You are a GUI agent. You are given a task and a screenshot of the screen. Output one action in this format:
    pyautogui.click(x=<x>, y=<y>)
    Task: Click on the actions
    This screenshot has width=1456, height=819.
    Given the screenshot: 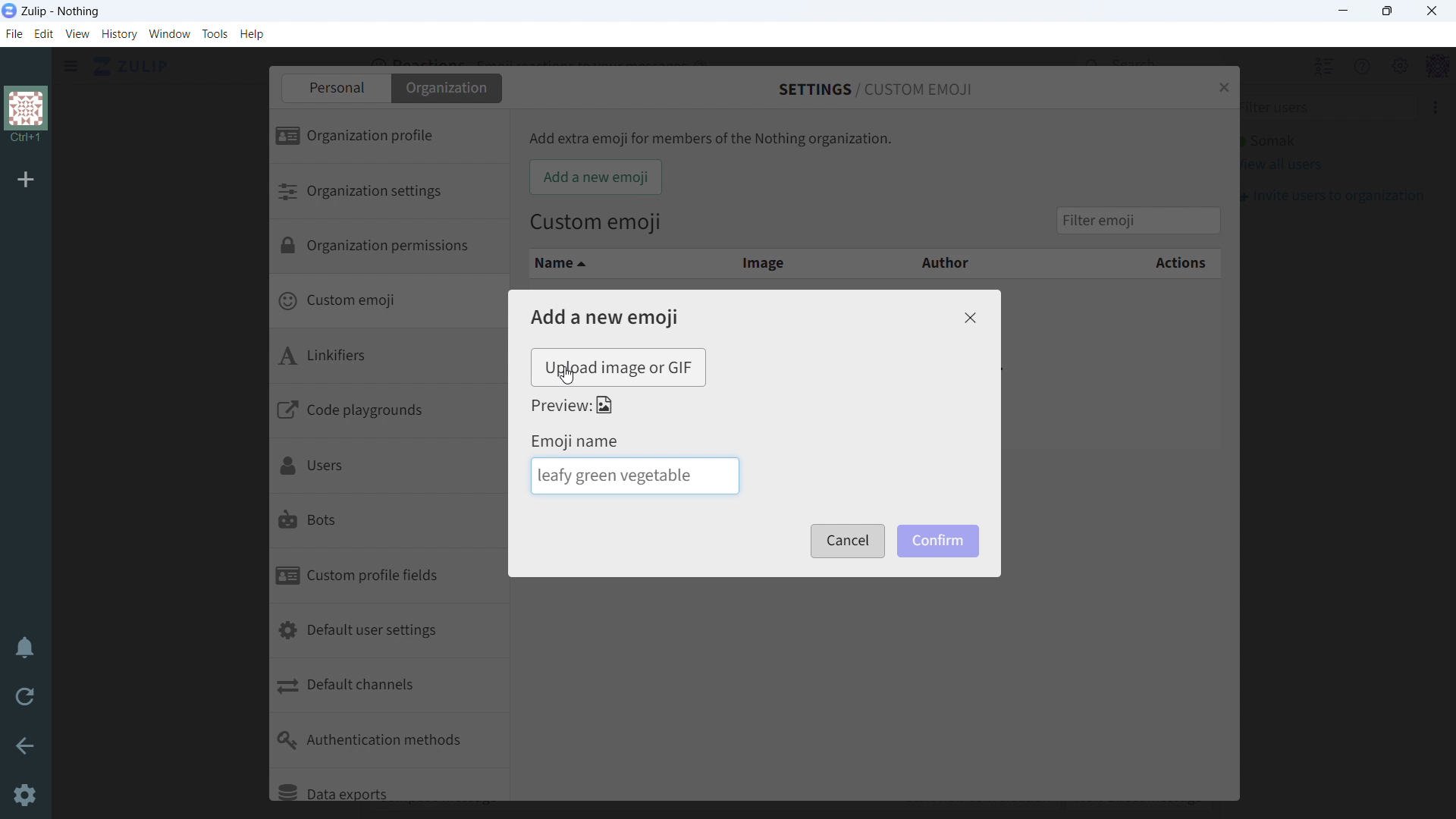 What is the action you would take?
    pyautogui.click(x=1127, y=264)
    